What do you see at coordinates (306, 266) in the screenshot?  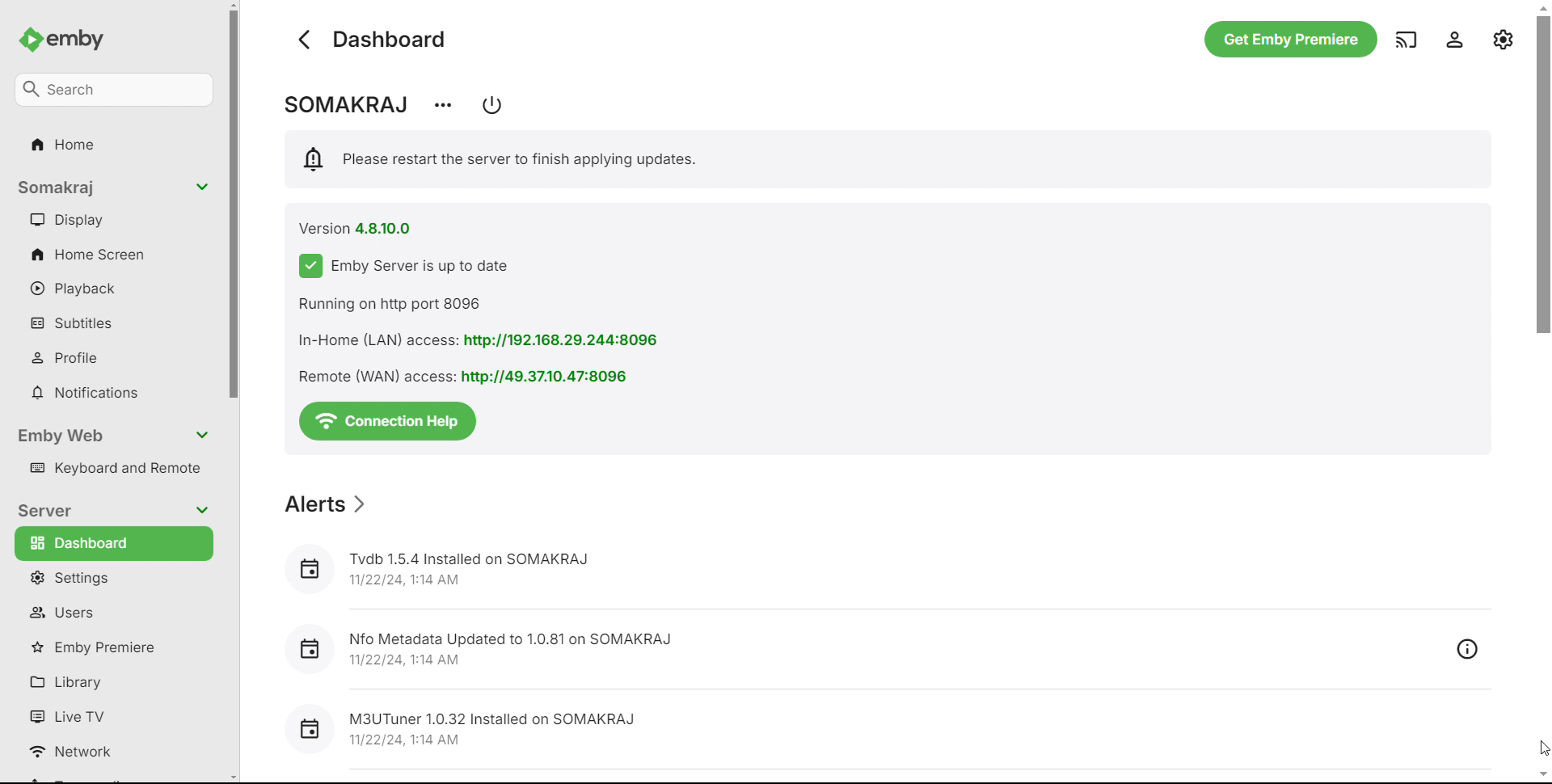 I see `enable checkbox` at bounding box center [306, 266].